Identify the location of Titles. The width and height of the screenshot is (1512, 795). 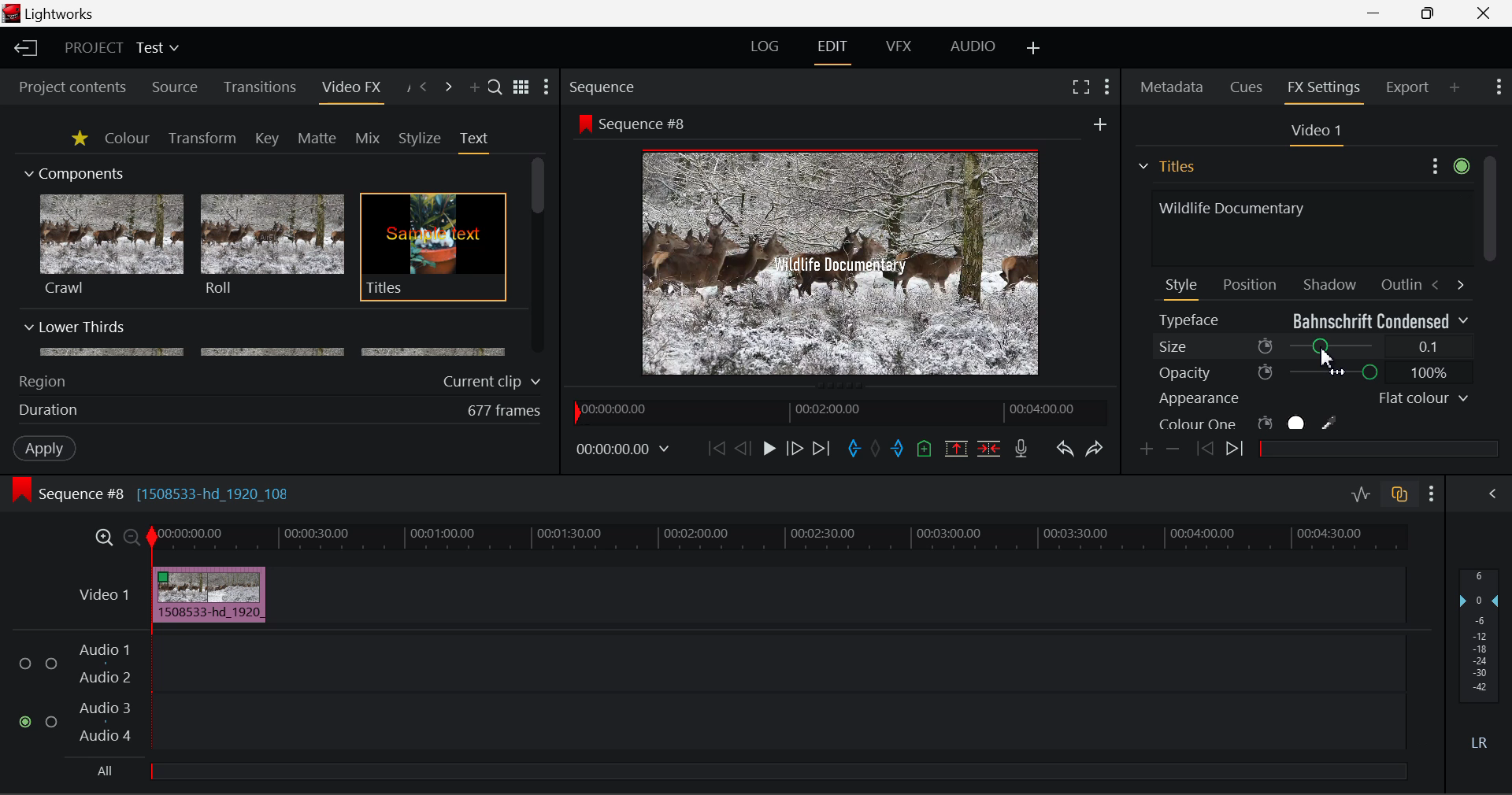
(433, 248).